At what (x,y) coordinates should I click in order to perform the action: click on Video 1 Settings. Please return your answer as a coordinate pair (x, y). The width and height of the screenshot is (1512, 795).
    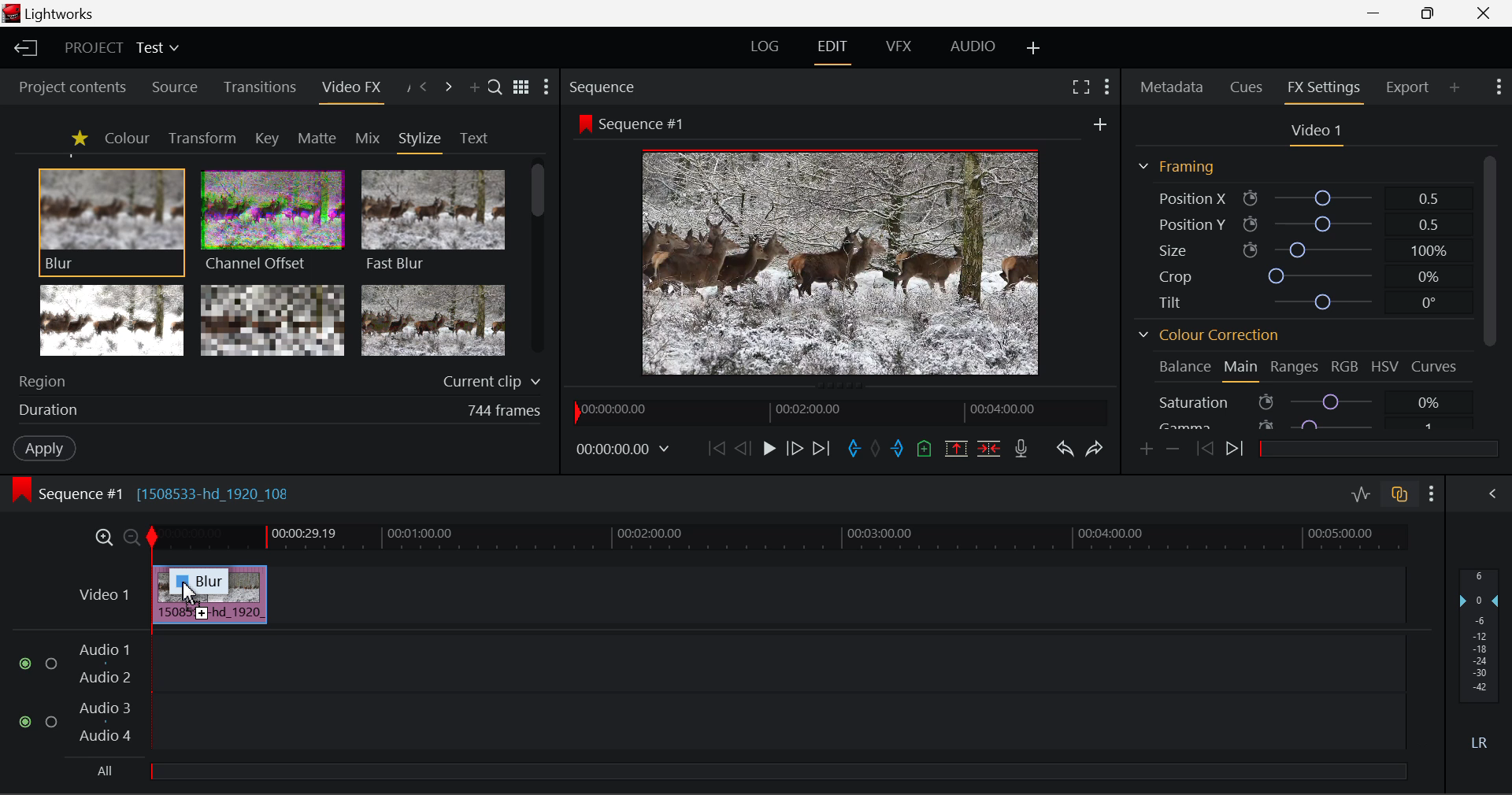
    Looking at the image, I should click on (1317, 132).